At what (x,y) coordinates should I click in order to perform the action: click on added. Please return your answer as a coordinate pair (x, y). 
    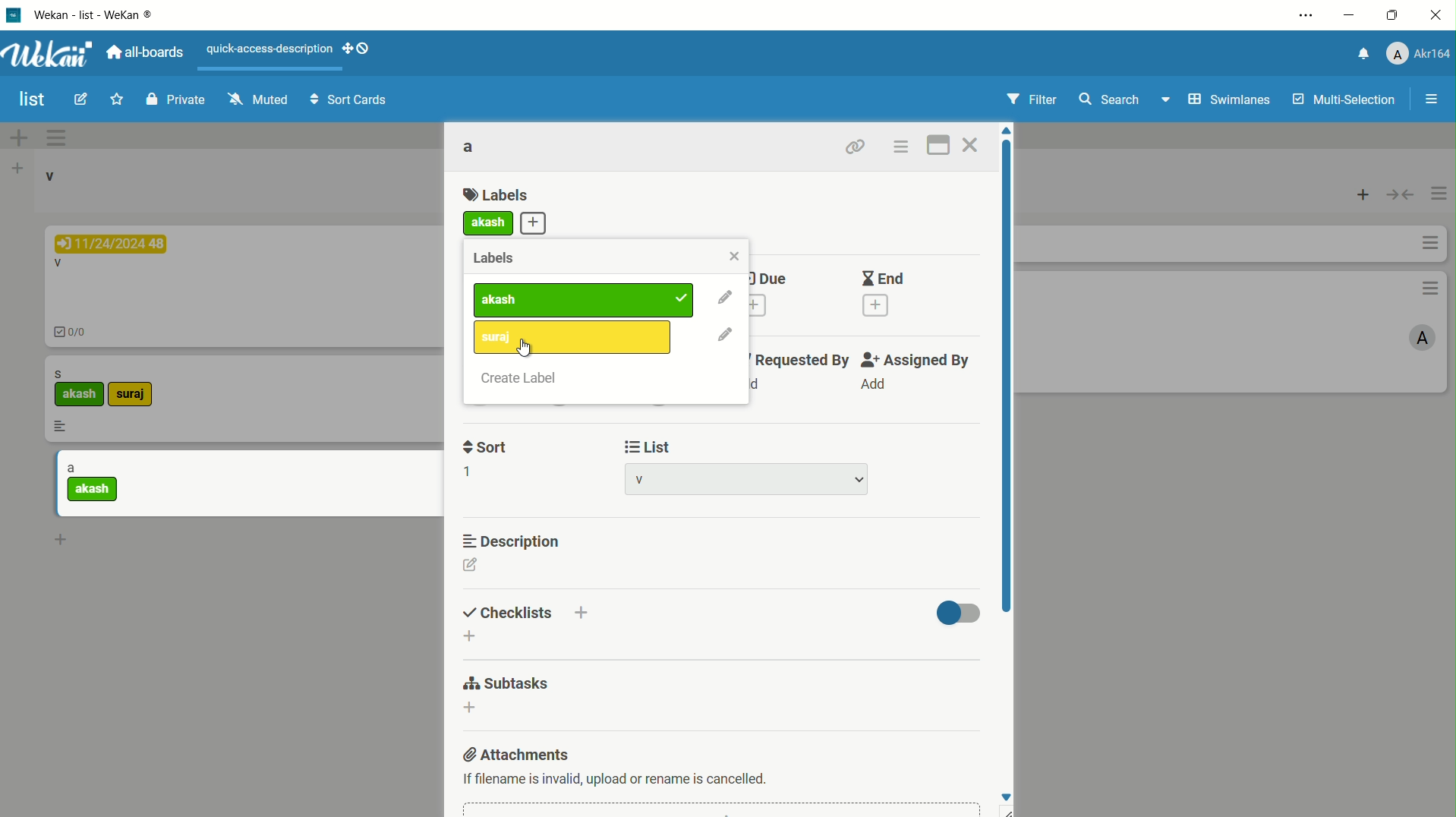
    Looking at the image, I should click on (682, 298).